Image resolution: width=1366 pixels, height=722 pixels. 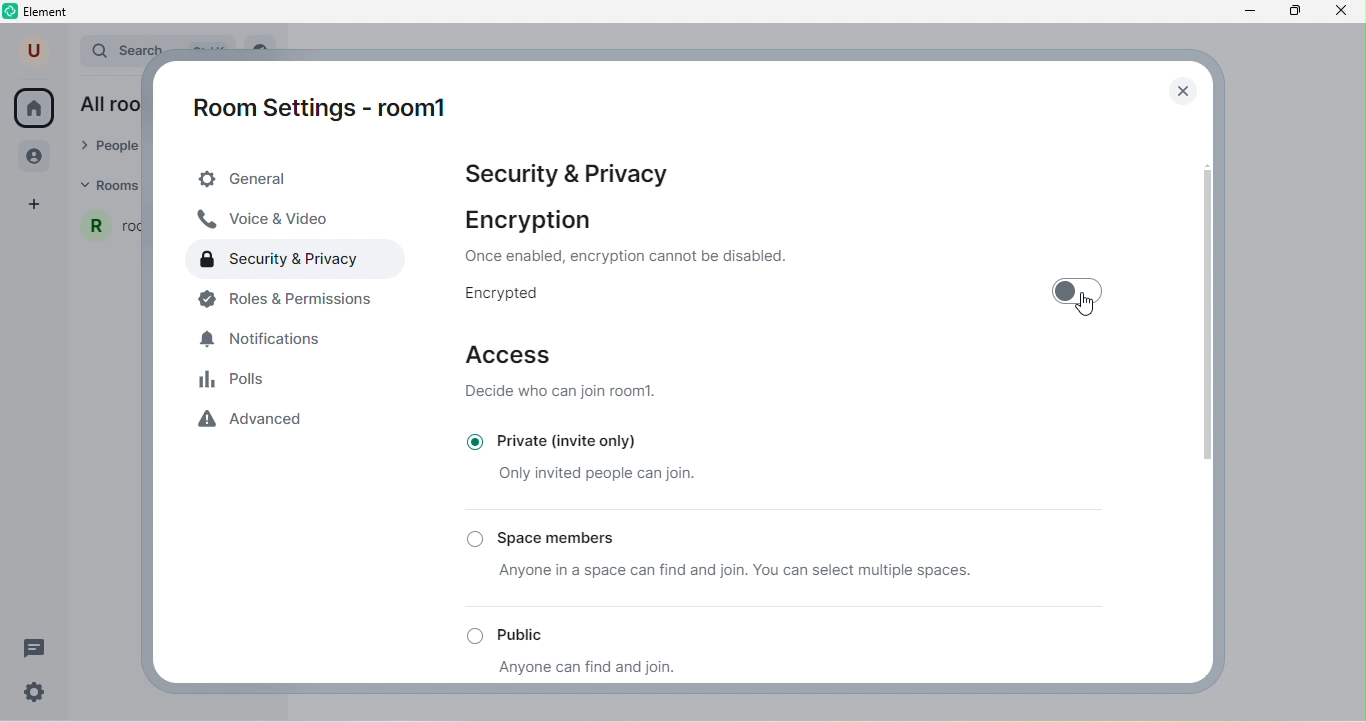 What do you see at coordinates (298, 303) in the screenshot?
I see `roles  and permissions` at bounding box center [298, 303].